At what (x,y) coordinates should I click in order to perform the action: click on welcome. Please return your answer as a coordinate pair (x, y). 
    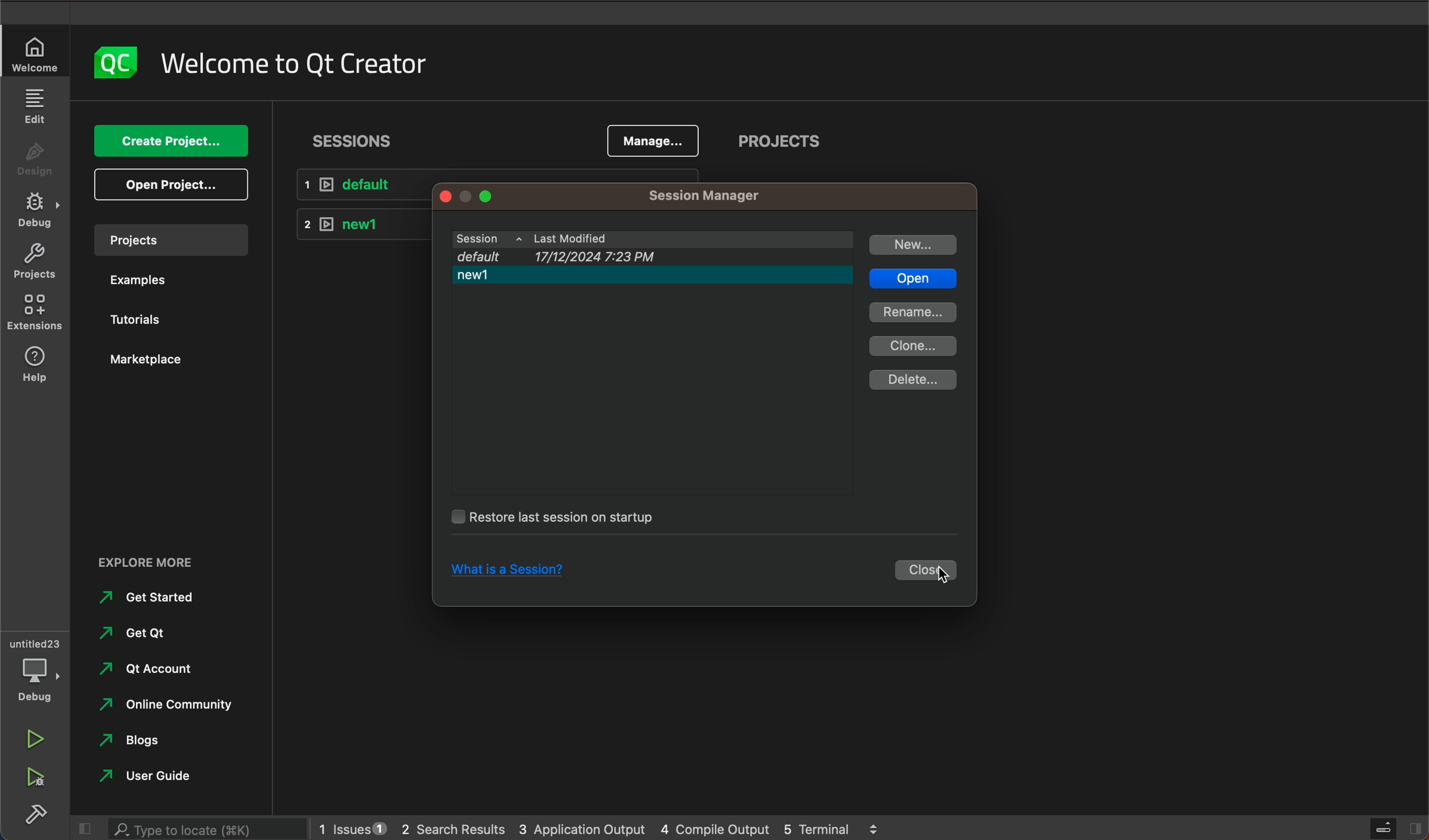
    Looking at the image, I should click on (36, 55).